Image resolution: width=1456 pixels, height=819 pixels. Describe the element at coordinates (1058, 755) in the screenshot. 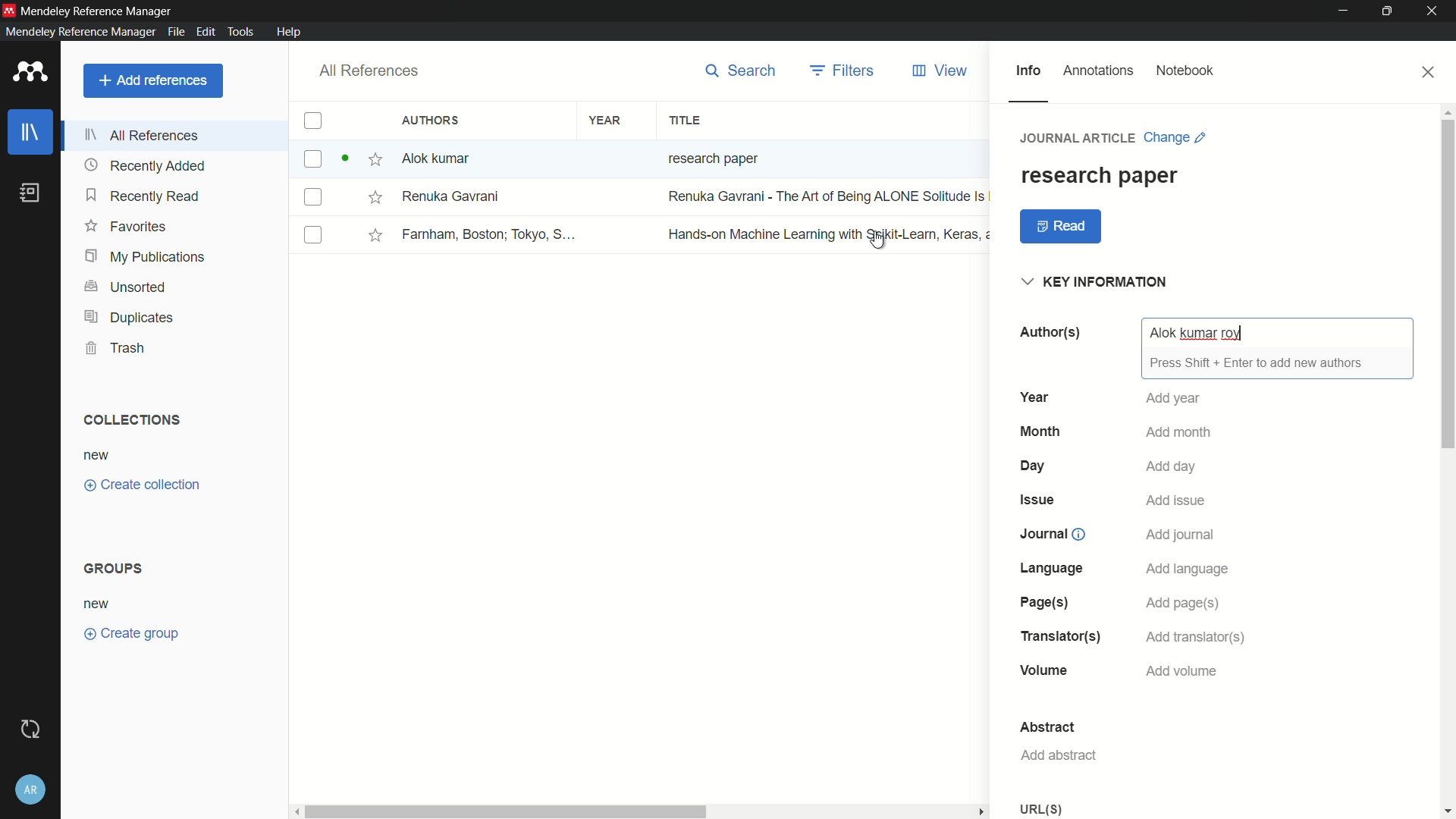

I see `add abstract` at that location.